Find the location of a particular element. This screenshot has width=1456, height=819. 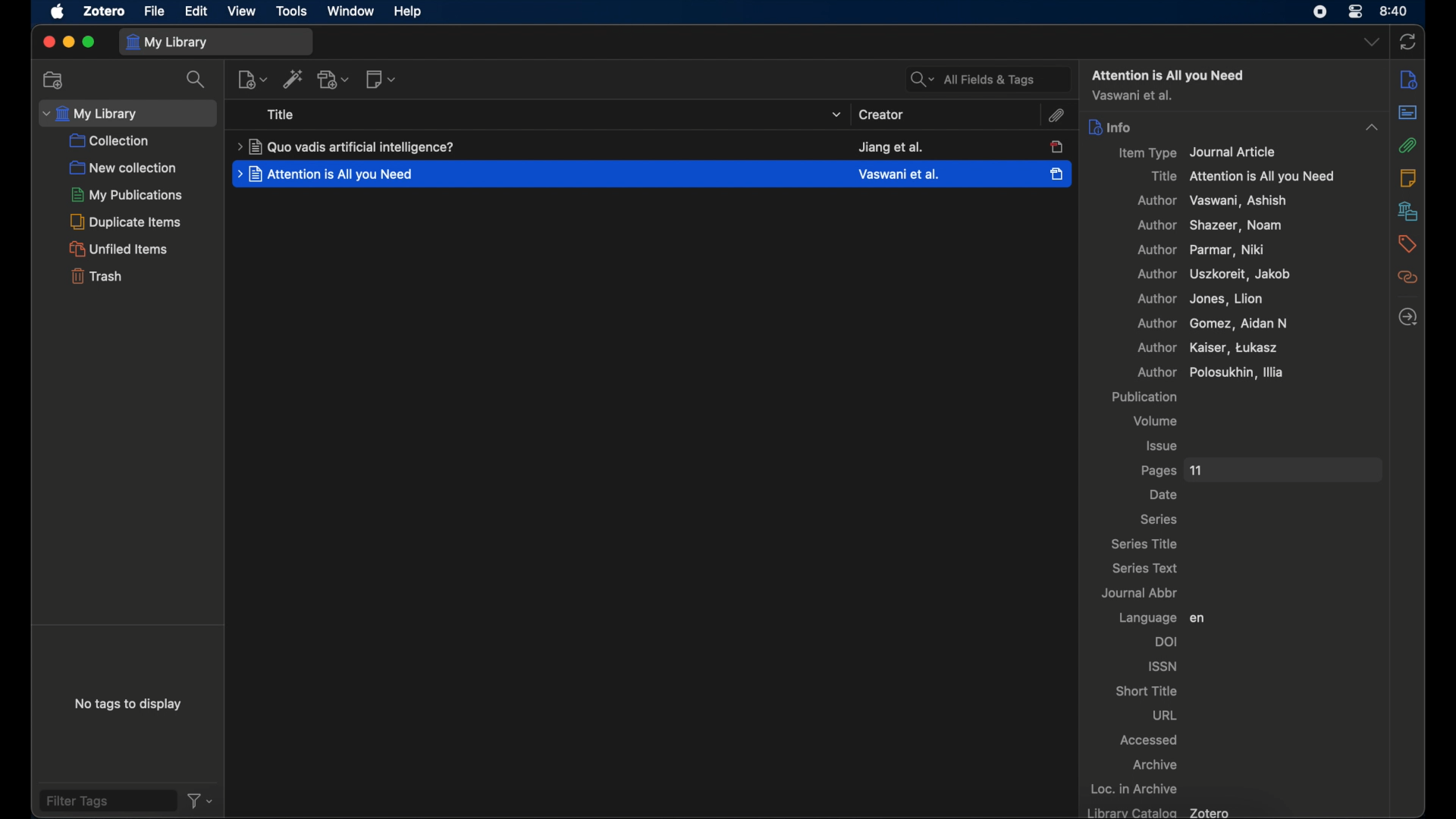

maximize is located at coordinates (89, 43).